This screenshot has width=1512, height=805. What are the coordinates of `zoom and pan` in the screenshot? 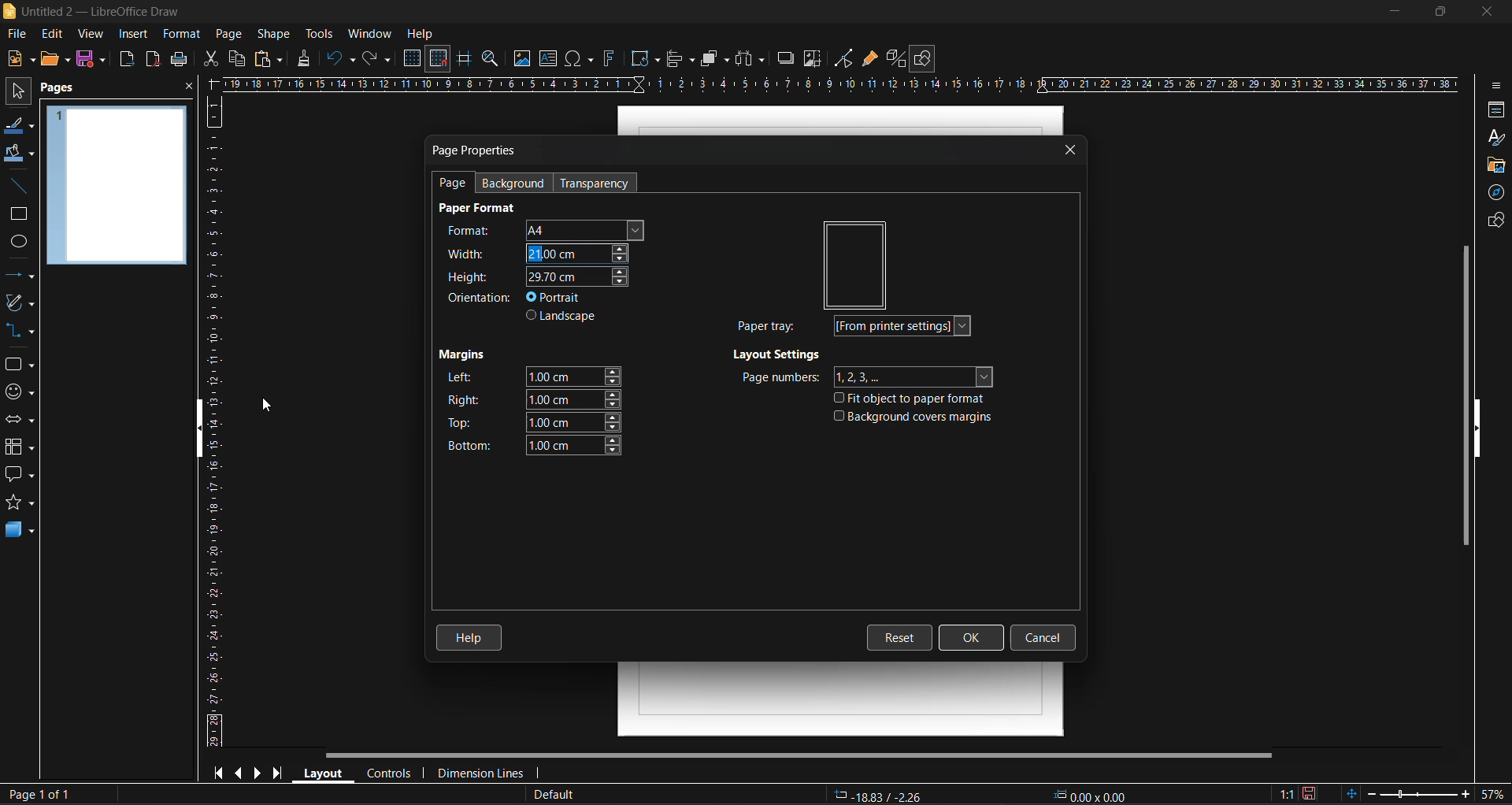 It's located at (489, 58).